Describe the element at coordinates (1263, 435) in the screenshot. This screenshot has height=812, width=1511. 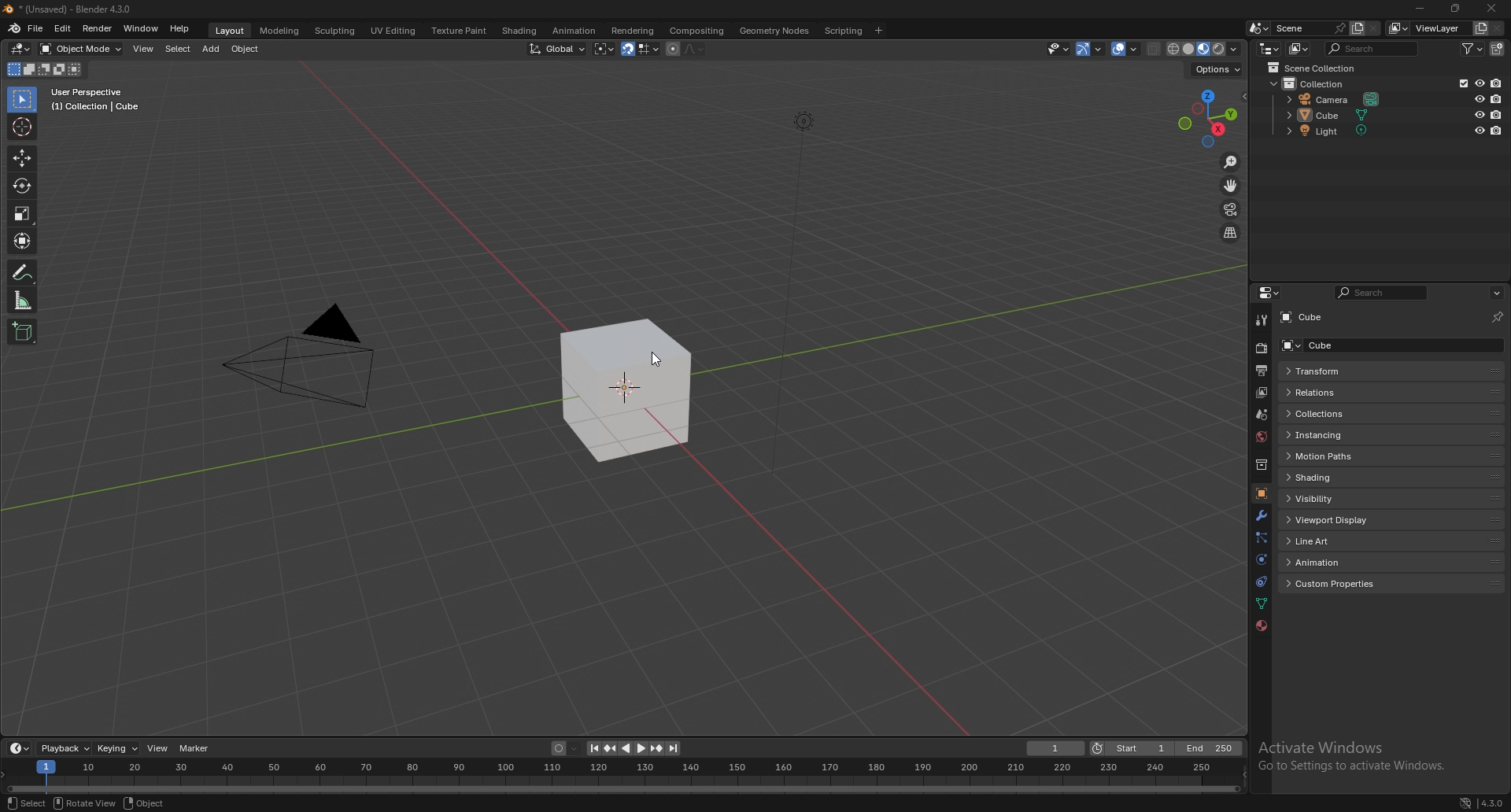
I see `world` at that location.